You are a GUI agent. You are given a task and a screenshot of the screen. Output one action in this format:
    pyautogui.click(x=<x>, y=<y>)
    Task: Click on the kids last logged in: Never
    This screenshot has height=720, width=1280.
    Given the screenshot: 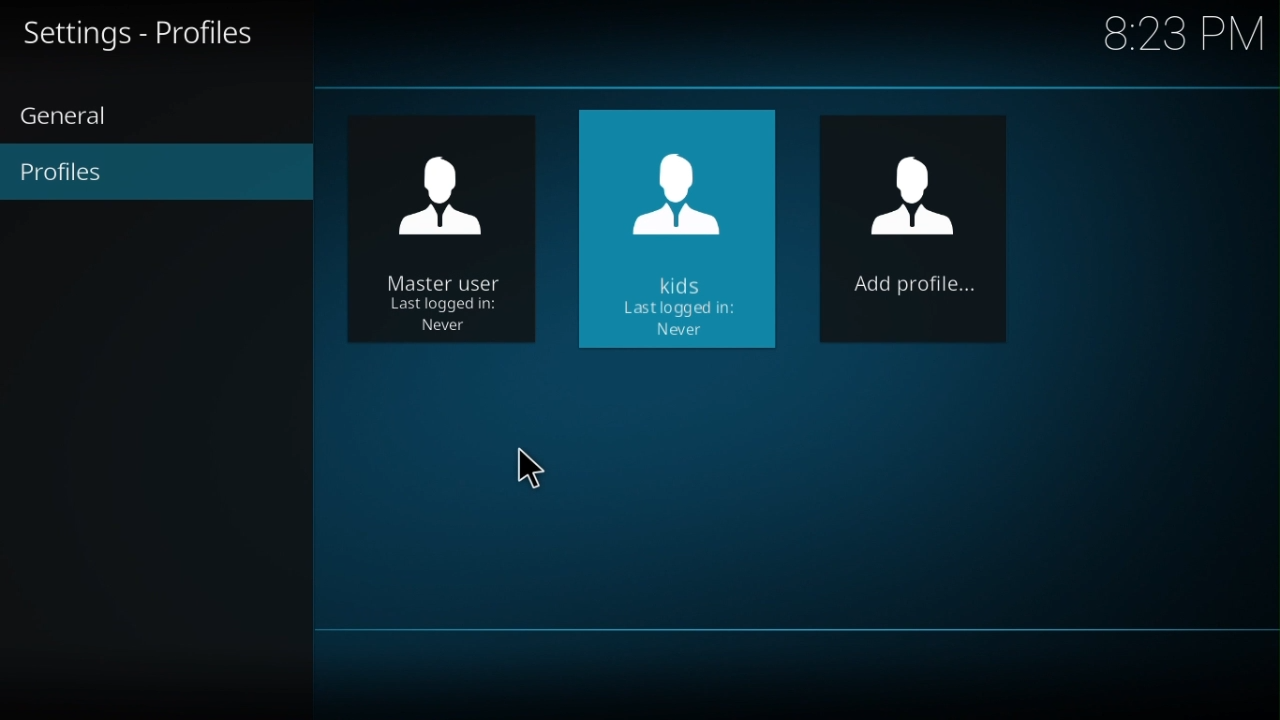 What is the action you would take?
    pyautogui.click(x=680, y=229)
    